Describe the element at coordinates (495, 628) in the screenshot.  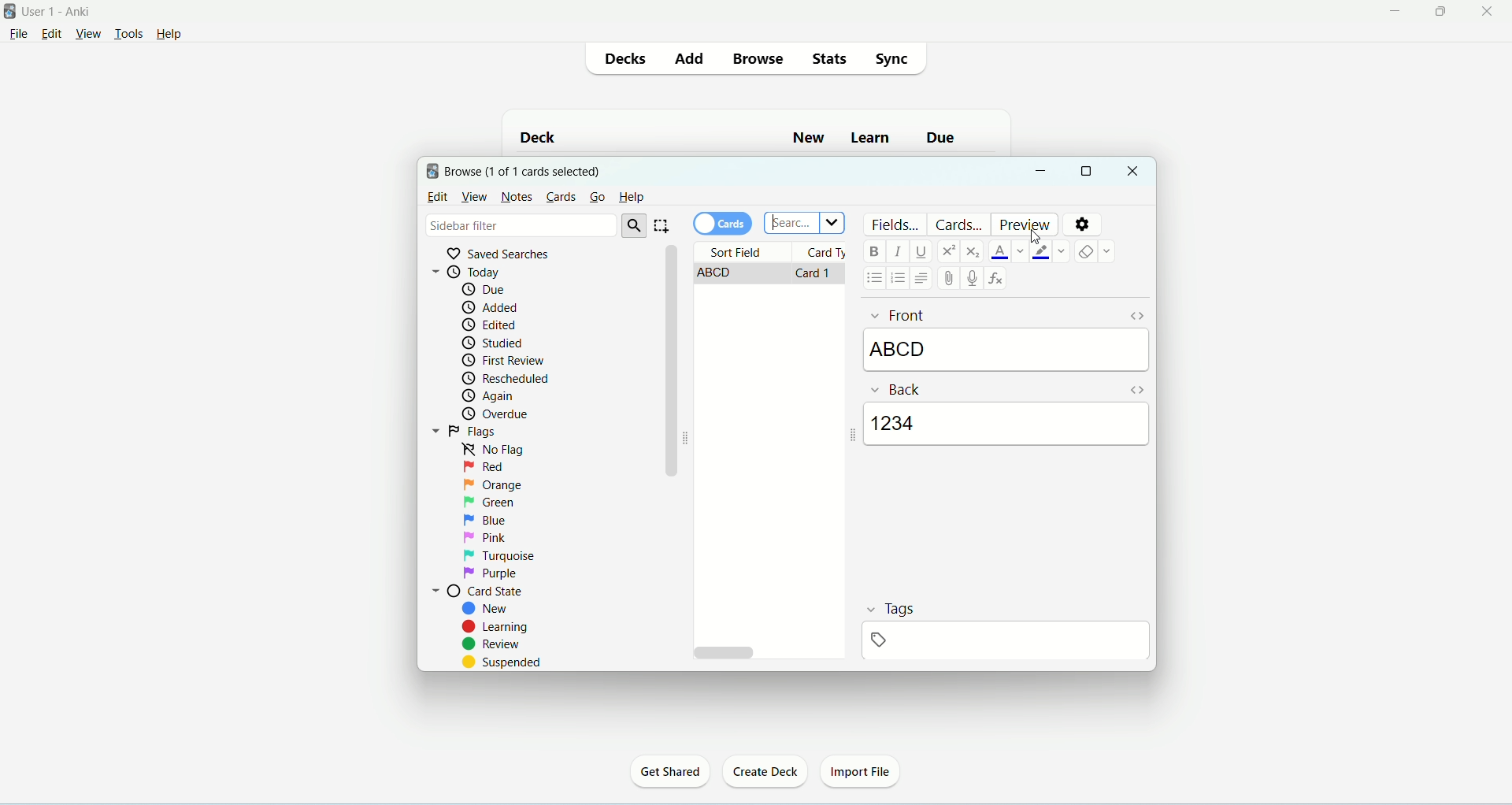
I see `learning` at that location.